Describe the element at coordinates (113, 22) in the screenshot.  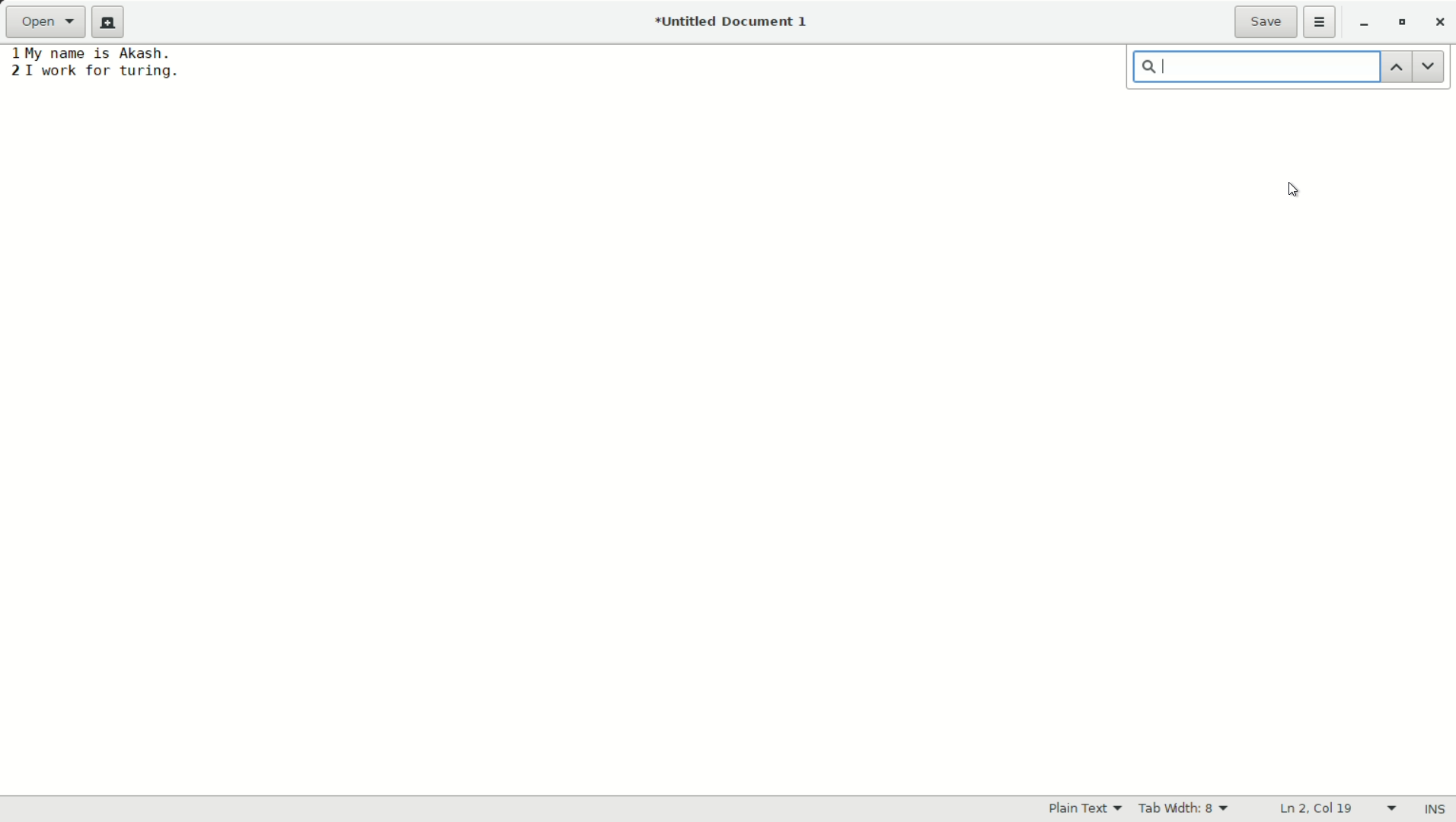
I see `new document` at that location.